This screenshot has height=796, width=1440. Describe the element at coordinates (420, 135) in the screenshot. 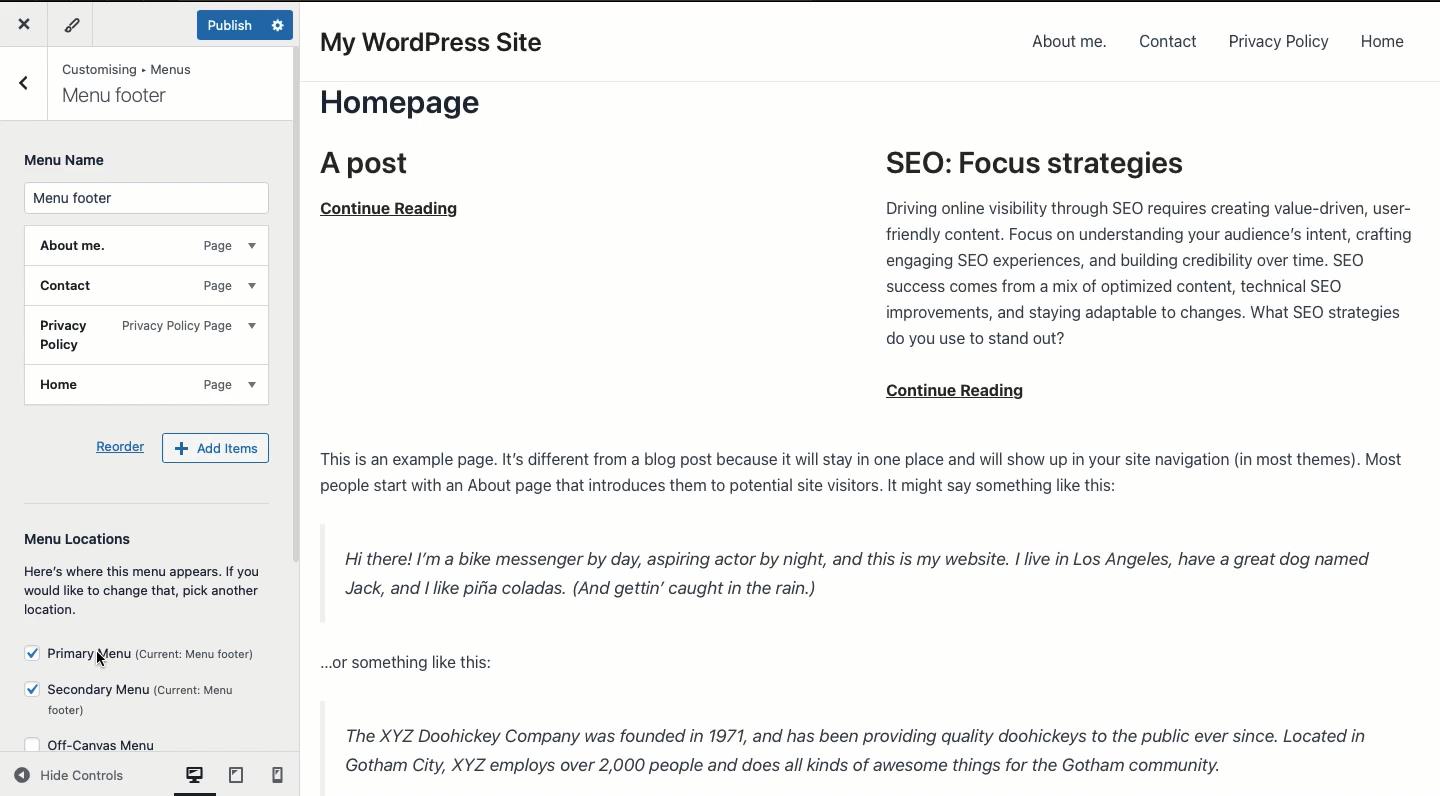

I see `Home page` at that location.